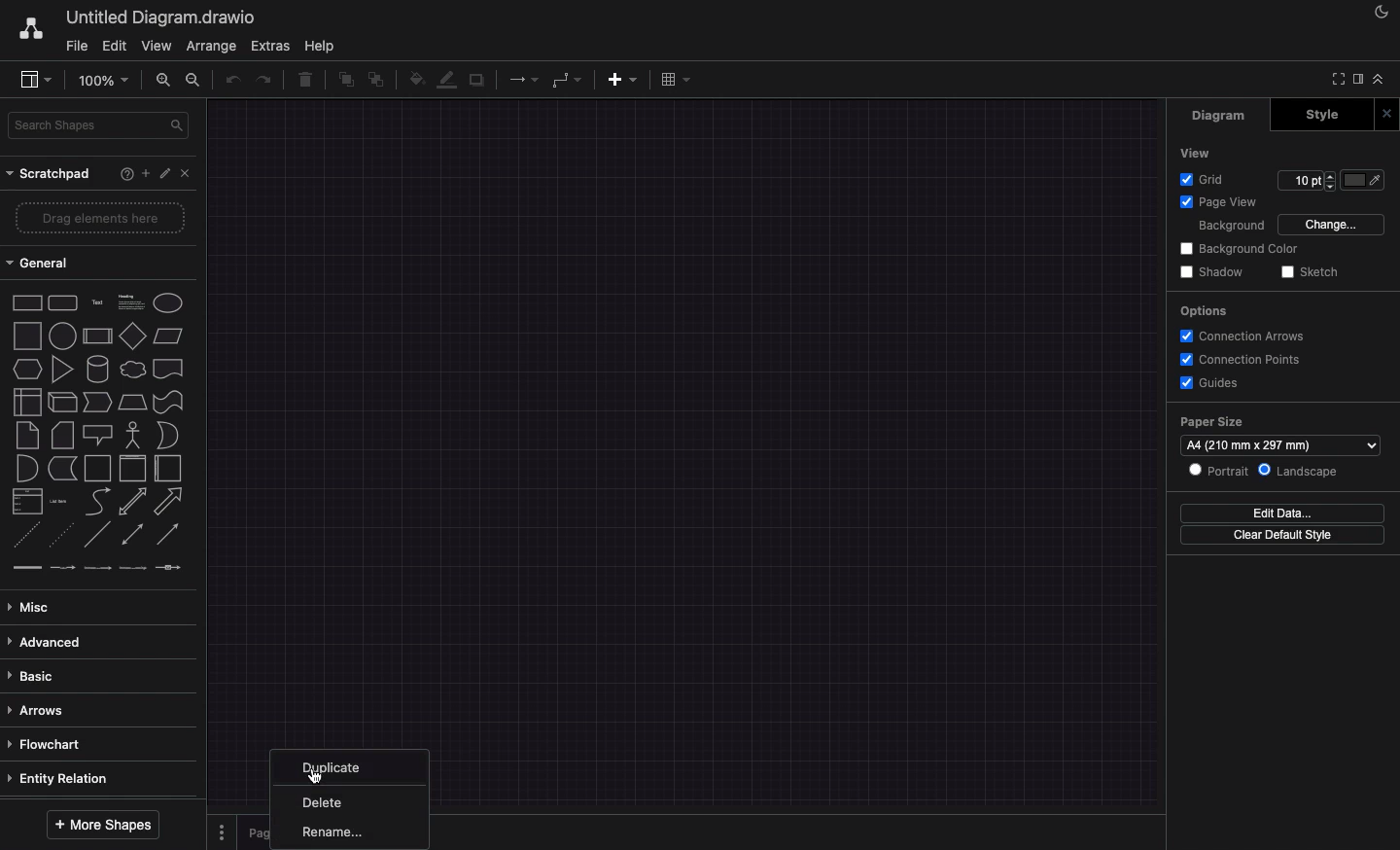 The image size is (1400, 850). What do you see at coordinates (1307, 180) in the screenshot?
I see `Input for Grid points` at bounding box center [1307, 180].